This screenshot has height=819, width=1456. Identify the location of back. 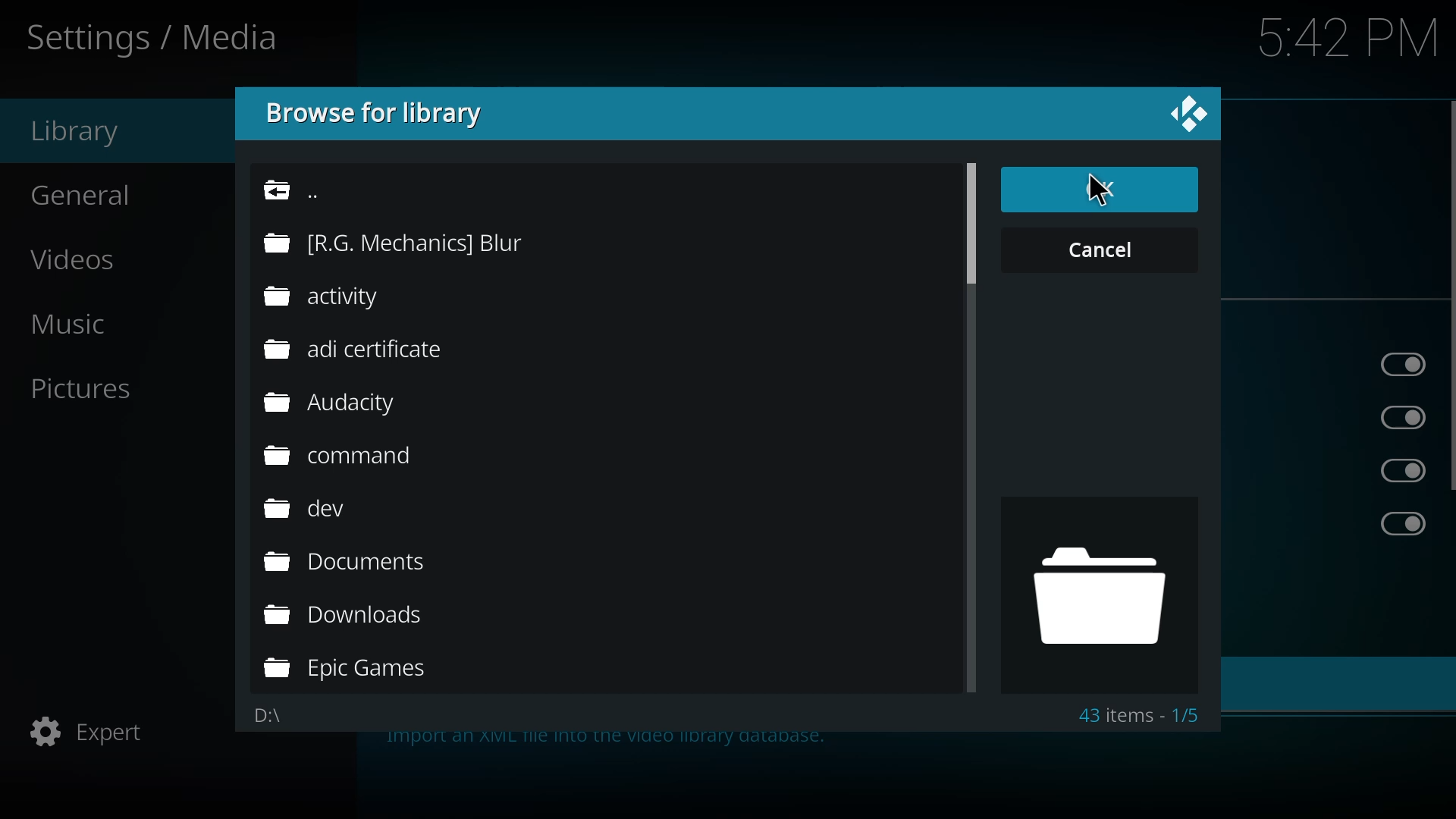
(308, 188).